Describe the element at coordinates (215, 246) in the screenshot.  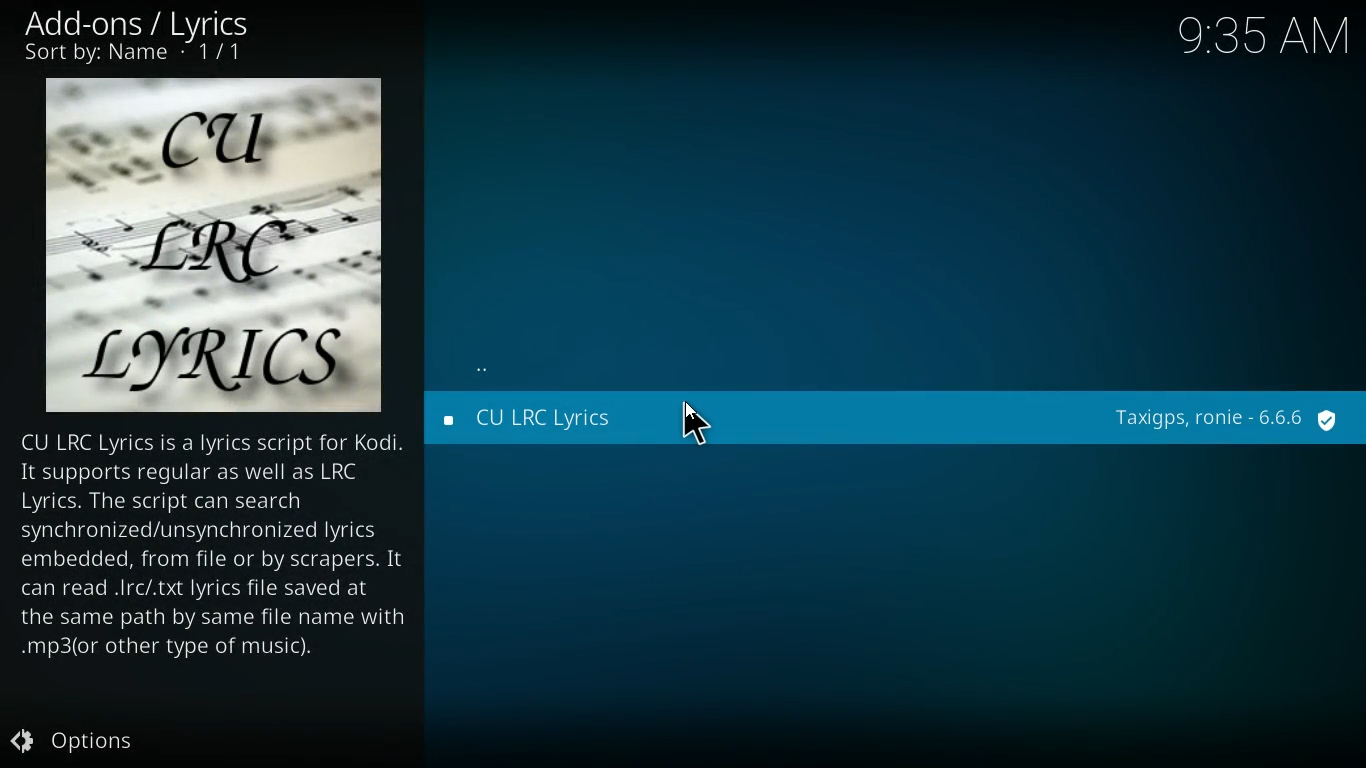
I see `lyrics logo` at that location.